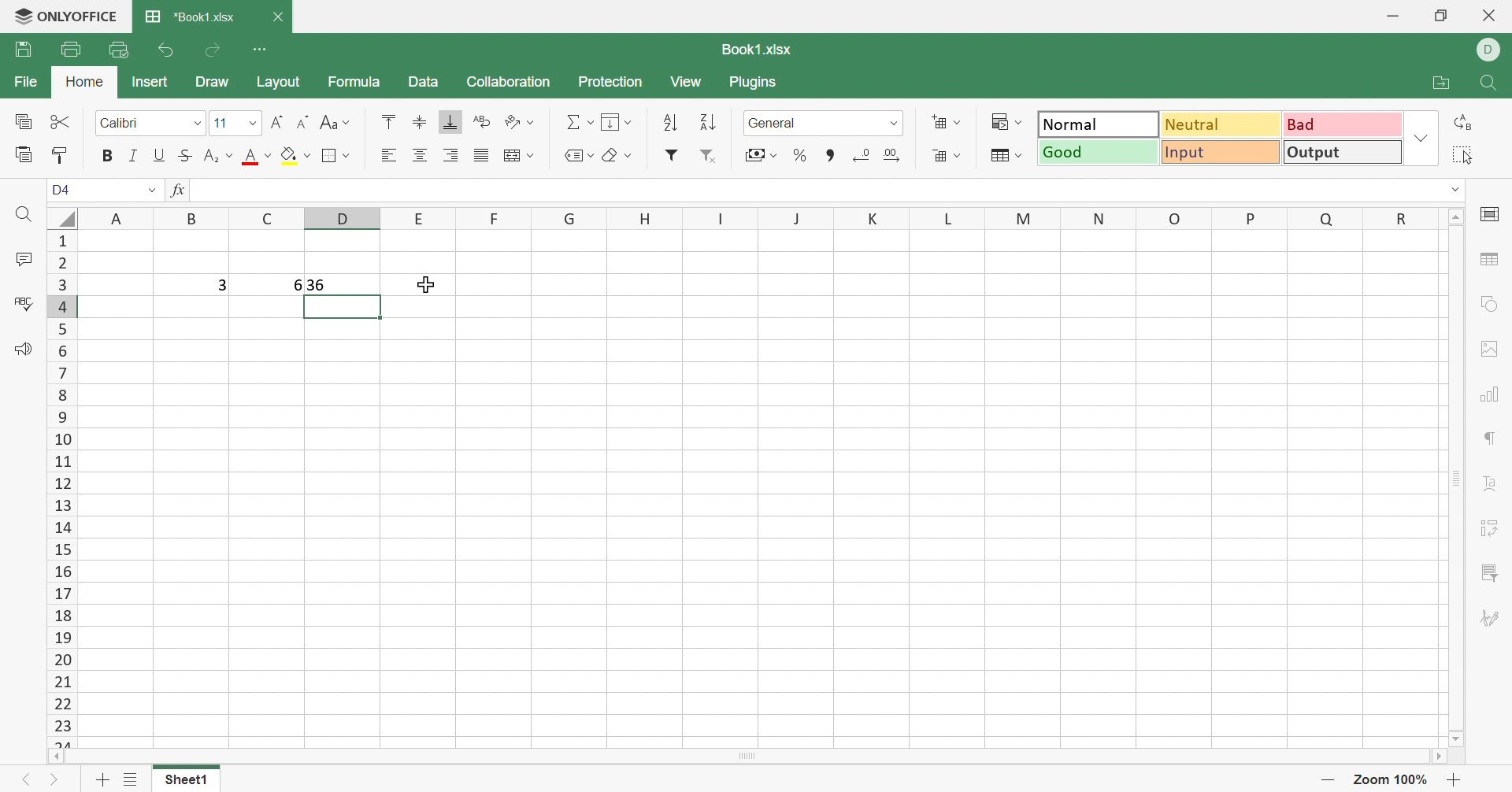  What do you see at coordinates (335, 156) in the screenshot?
I see `Borders` at bounding box center [335, 156].